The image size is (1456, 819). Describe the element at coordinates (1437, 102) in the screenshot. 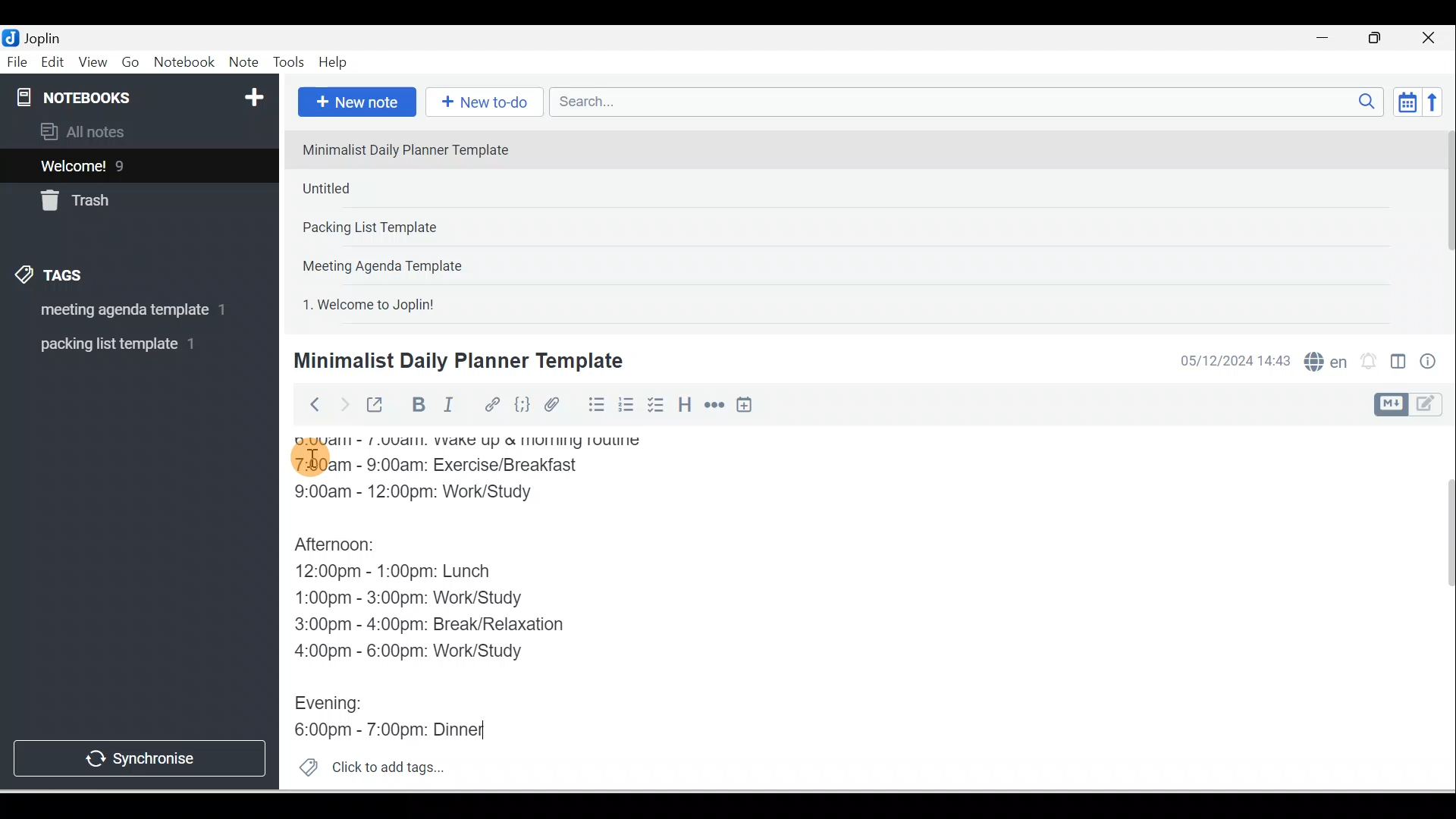

I see `Reverse sort` at that location.